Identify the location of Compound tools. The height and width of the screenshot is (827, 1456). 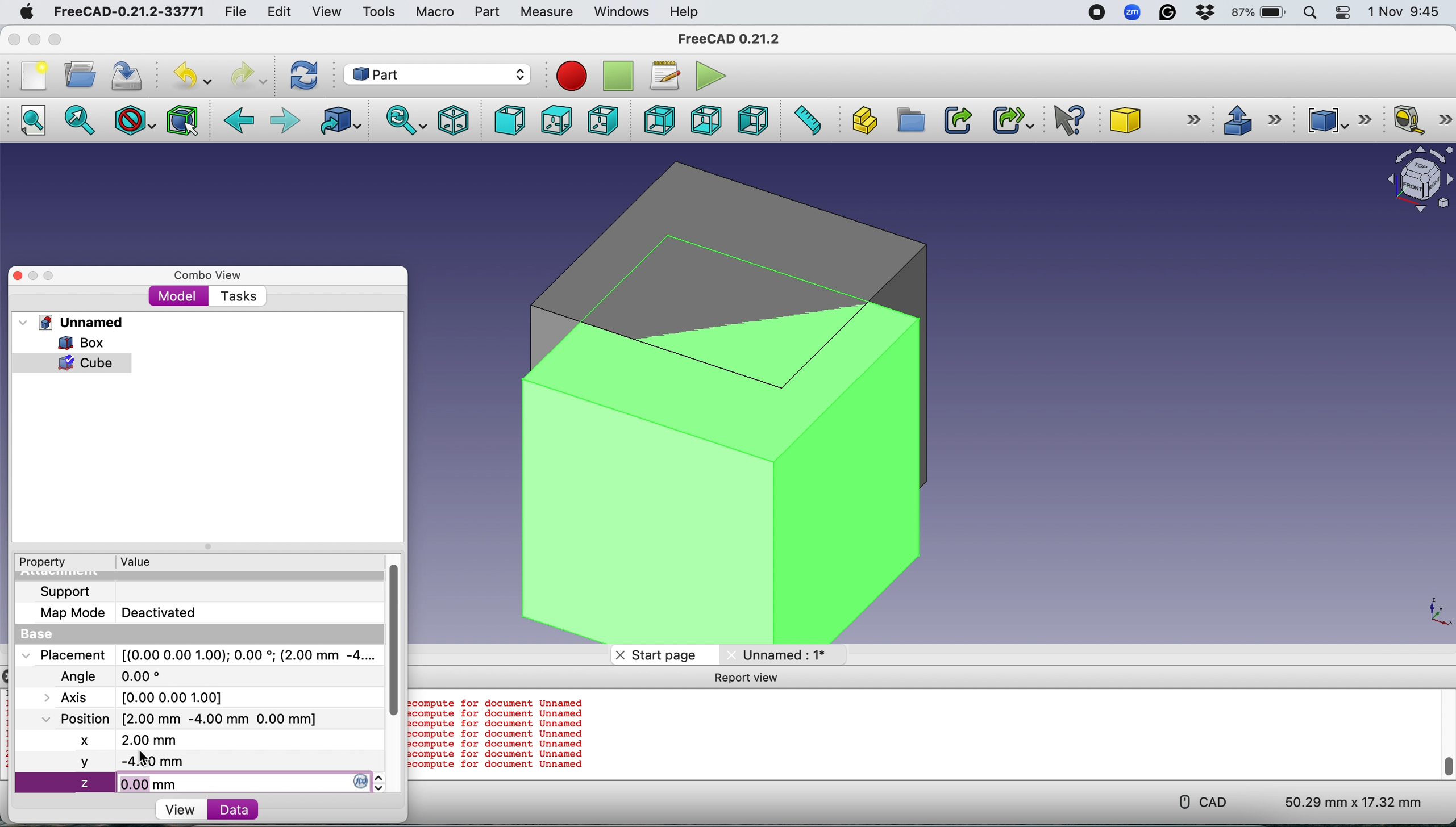
(1336, 120).